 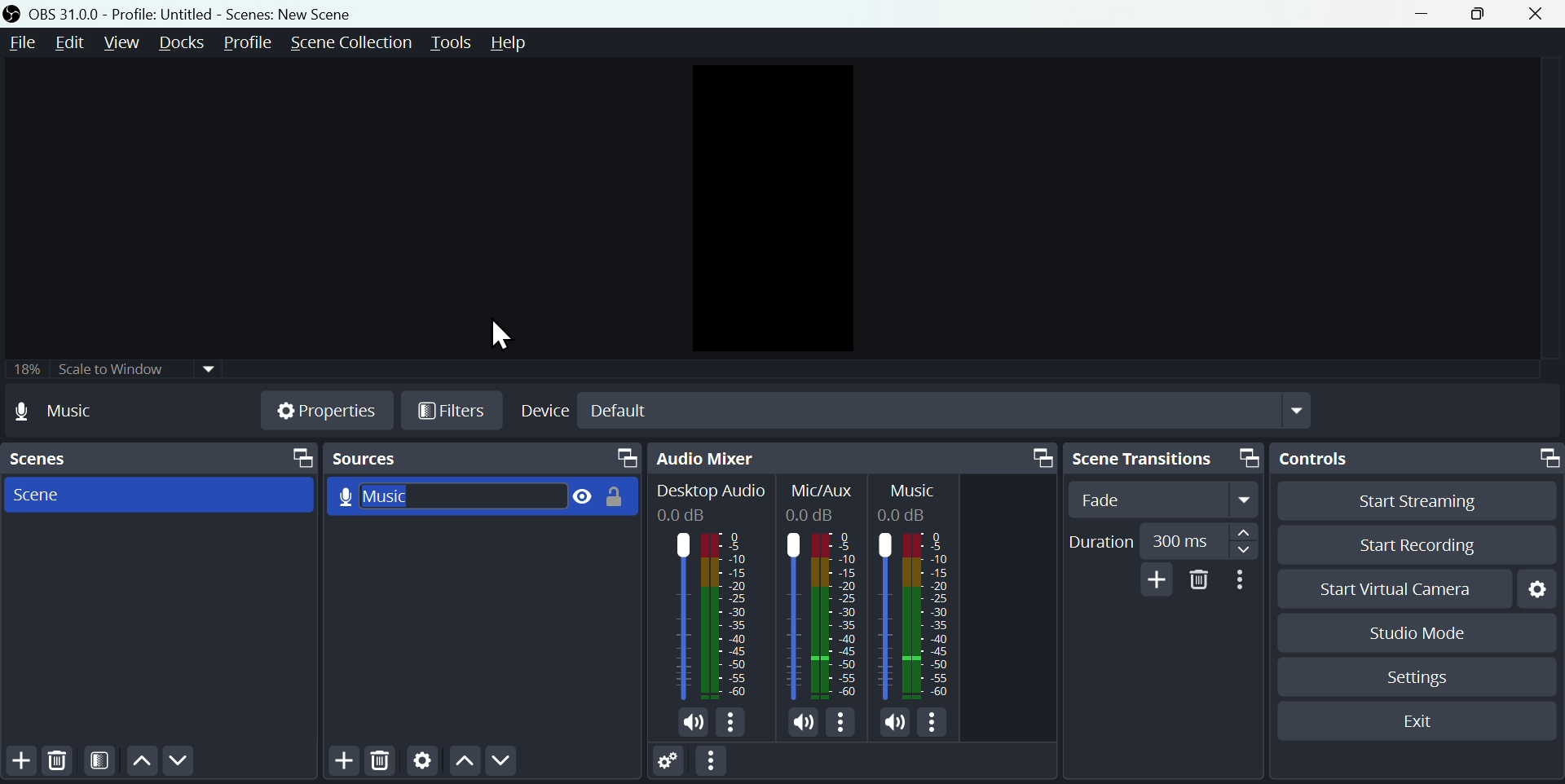 I want to click on Device, so click(x=543, y=412).